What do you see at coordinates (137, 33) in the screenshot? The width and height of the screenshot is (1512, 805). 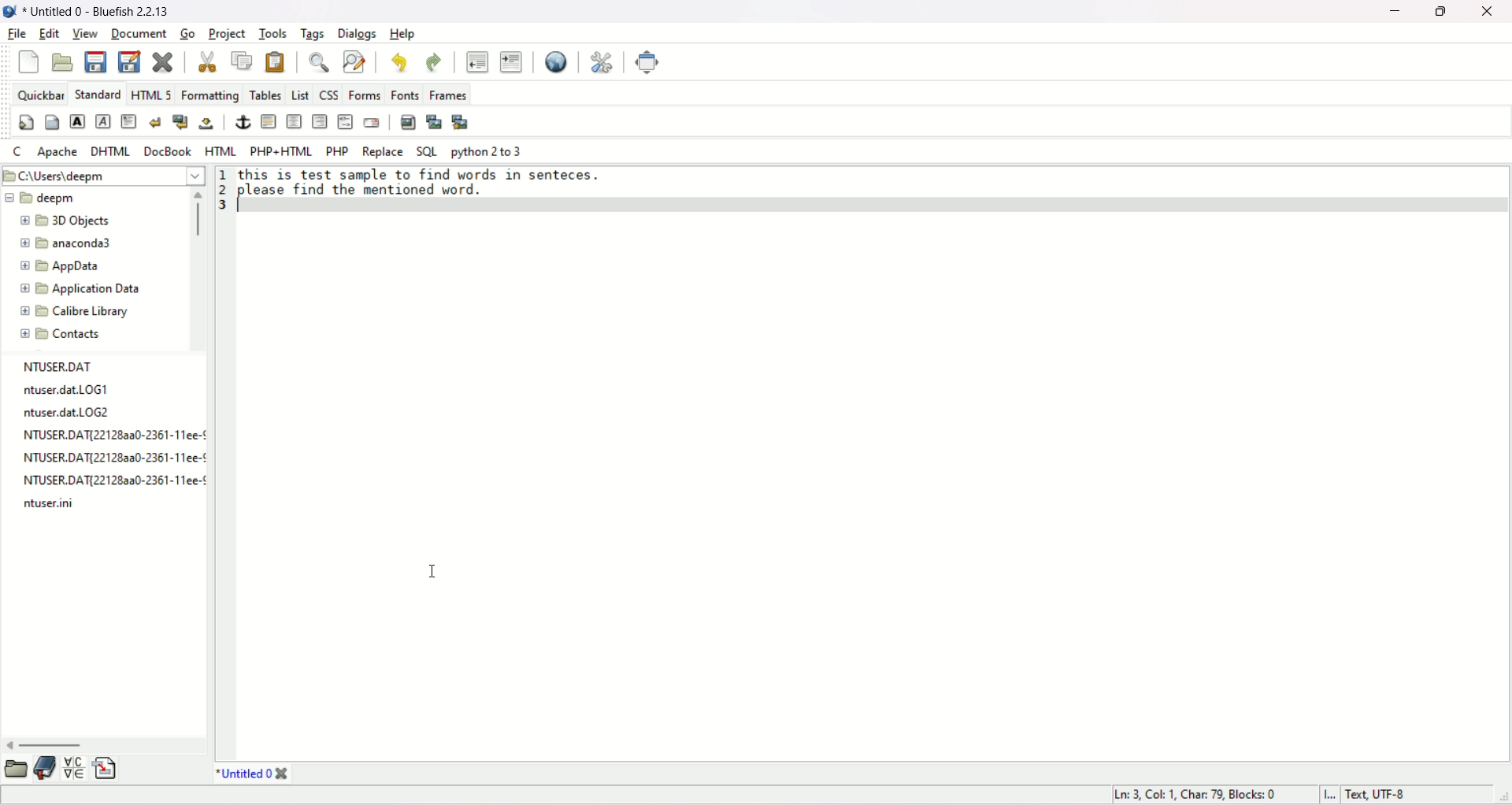 I see `document` at bounding box center [137, 33].